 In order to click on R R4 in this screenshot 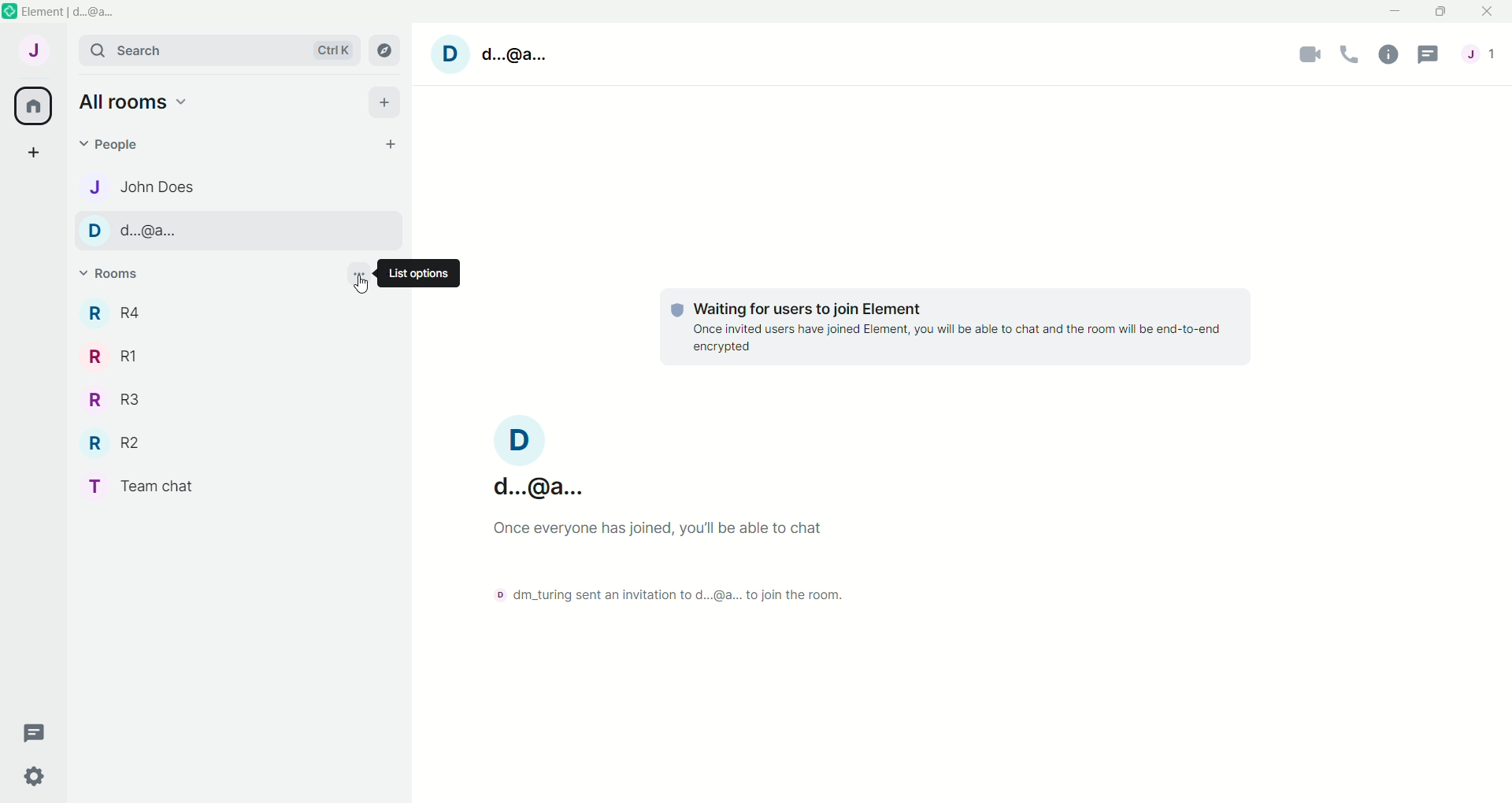, I will do `click(139, 312)`.